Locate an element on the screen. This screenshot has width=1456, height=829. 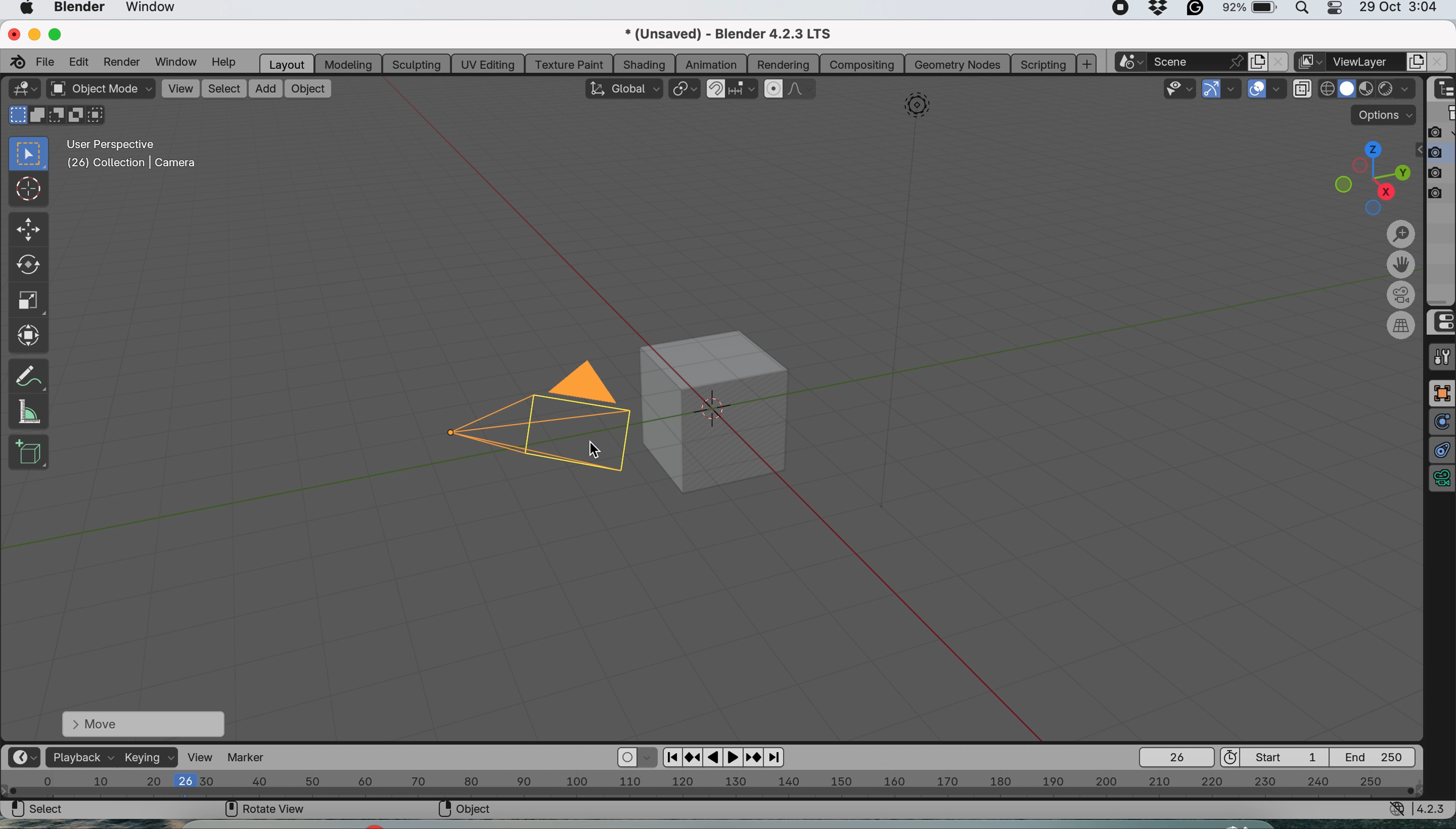
move is located at coordinates (142, 723).